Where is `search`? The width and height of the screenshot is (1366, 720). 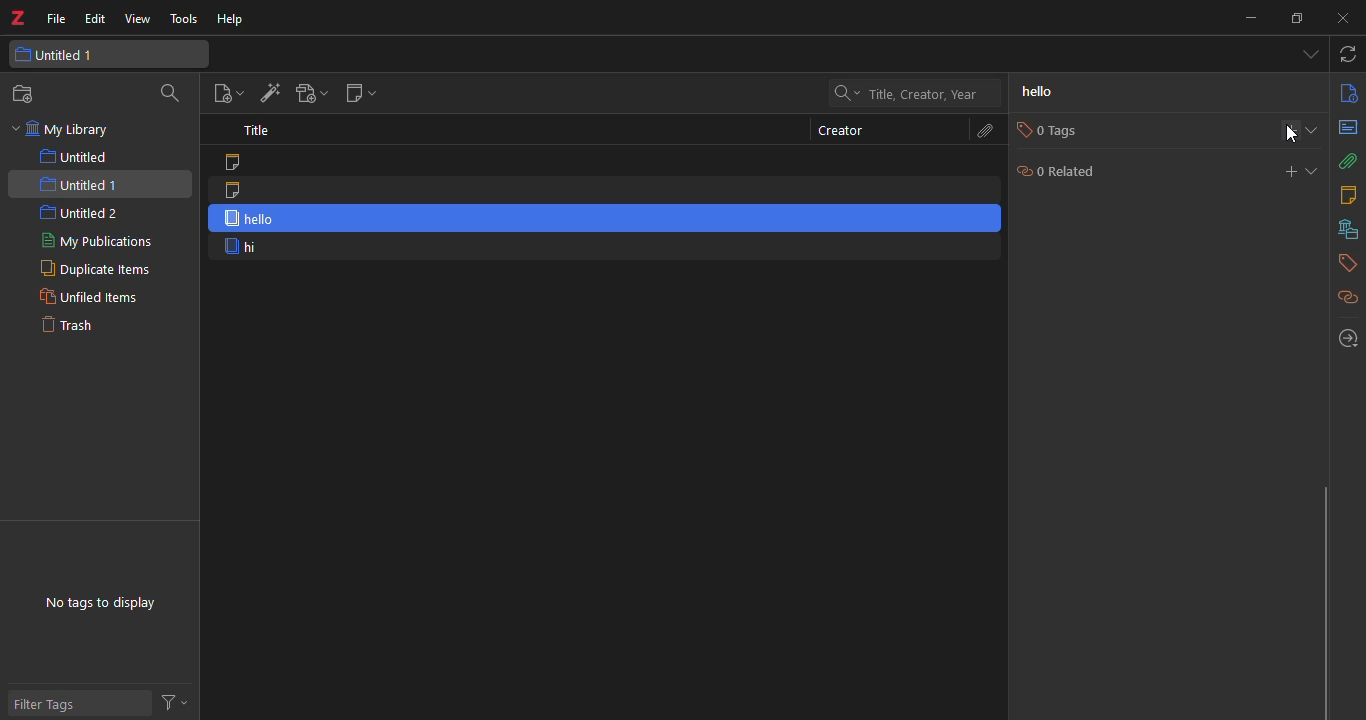 search is located at coordinates (917, 93).